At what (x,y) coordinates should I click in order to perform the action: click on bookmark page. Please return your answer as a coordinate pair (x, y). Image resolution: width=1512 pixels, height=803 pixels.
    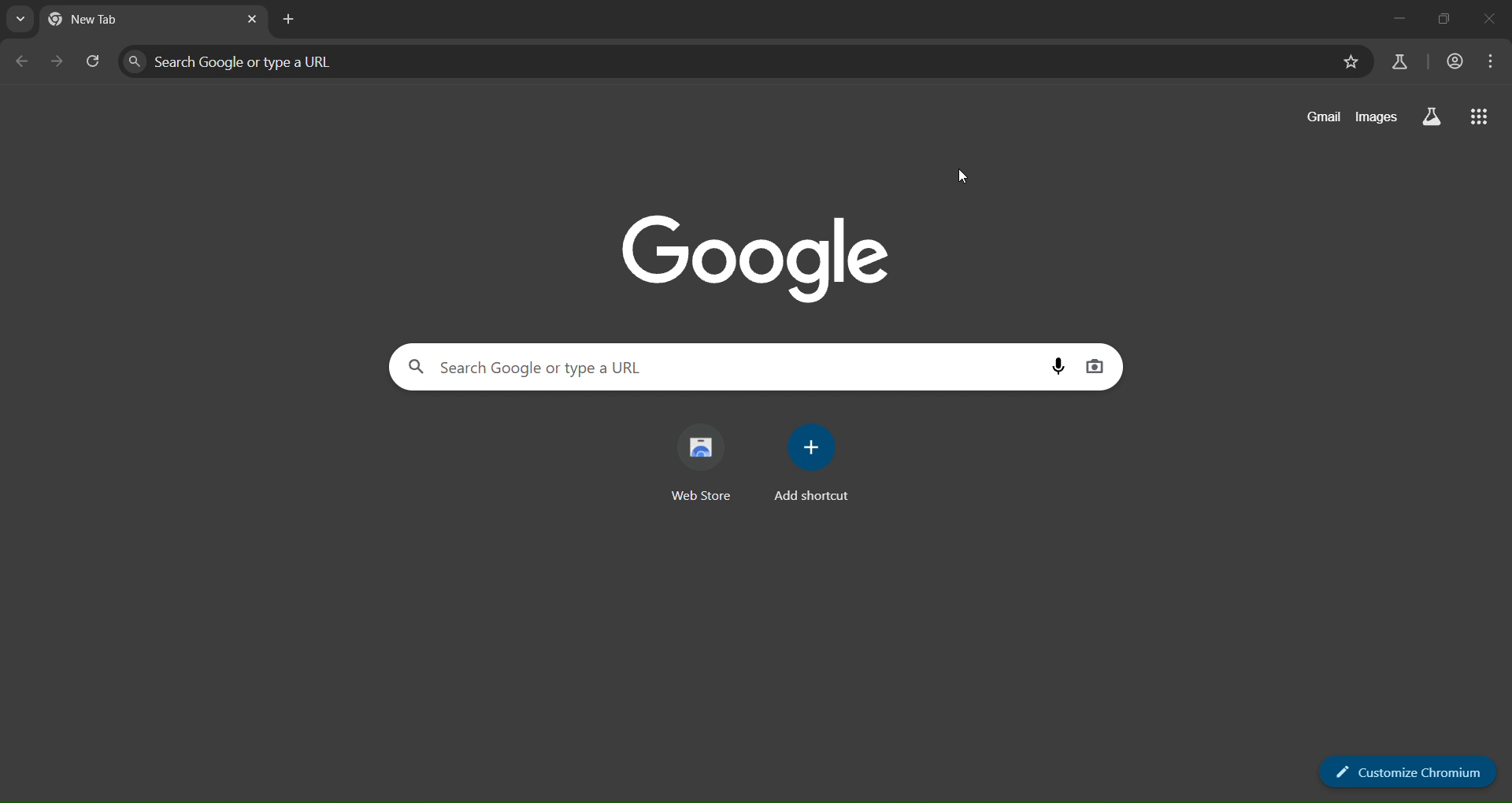
    Looking at the image, I should click on (1350, 62).